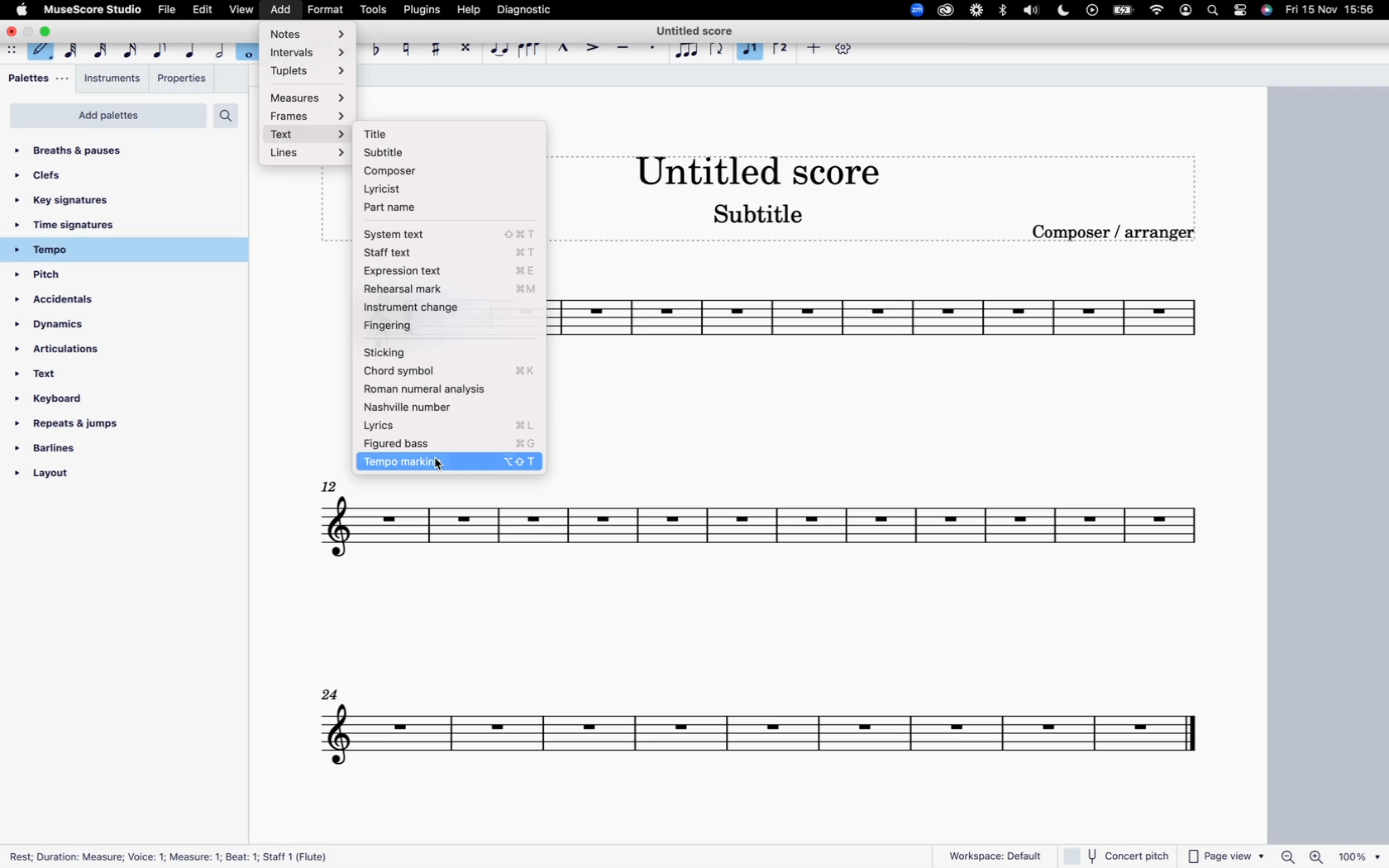 The image size is (1389, 868). I want to click on dynamics, so click(84, 326).